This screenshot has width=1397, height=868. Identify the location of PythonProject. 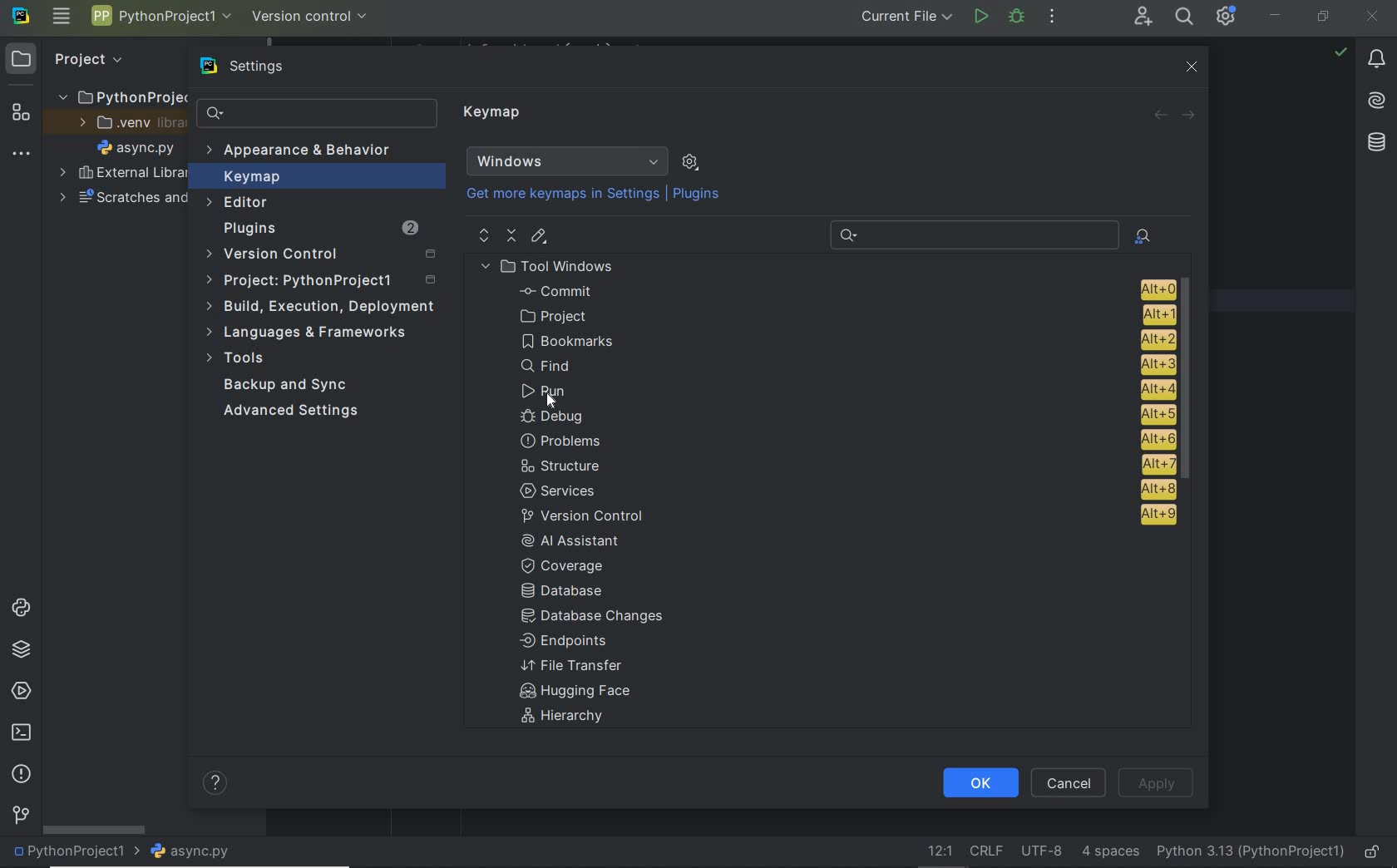
(122, 96).